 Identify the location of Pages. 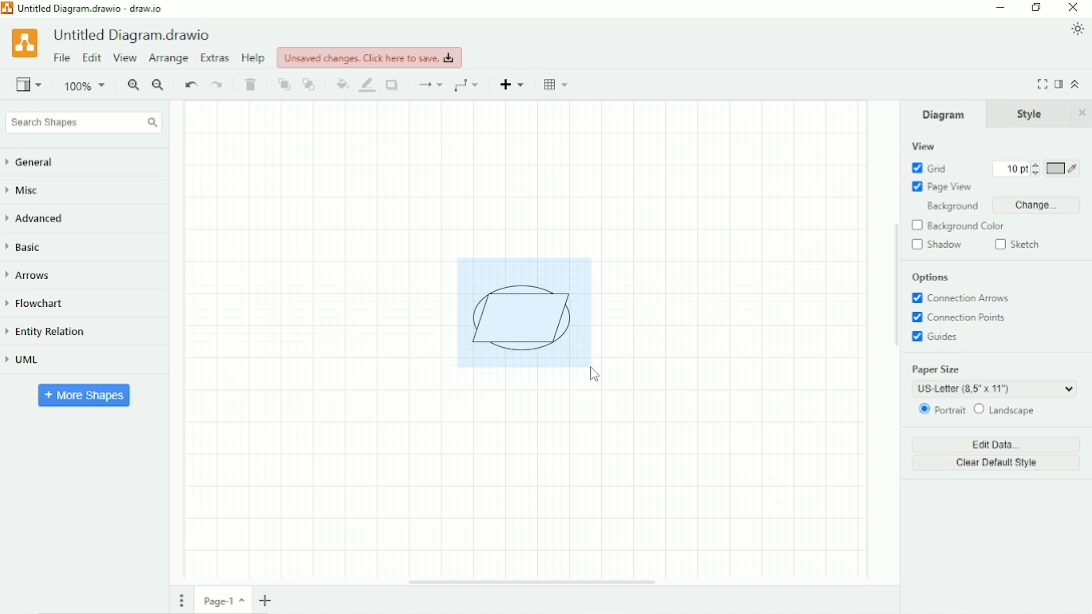
(182, 600).